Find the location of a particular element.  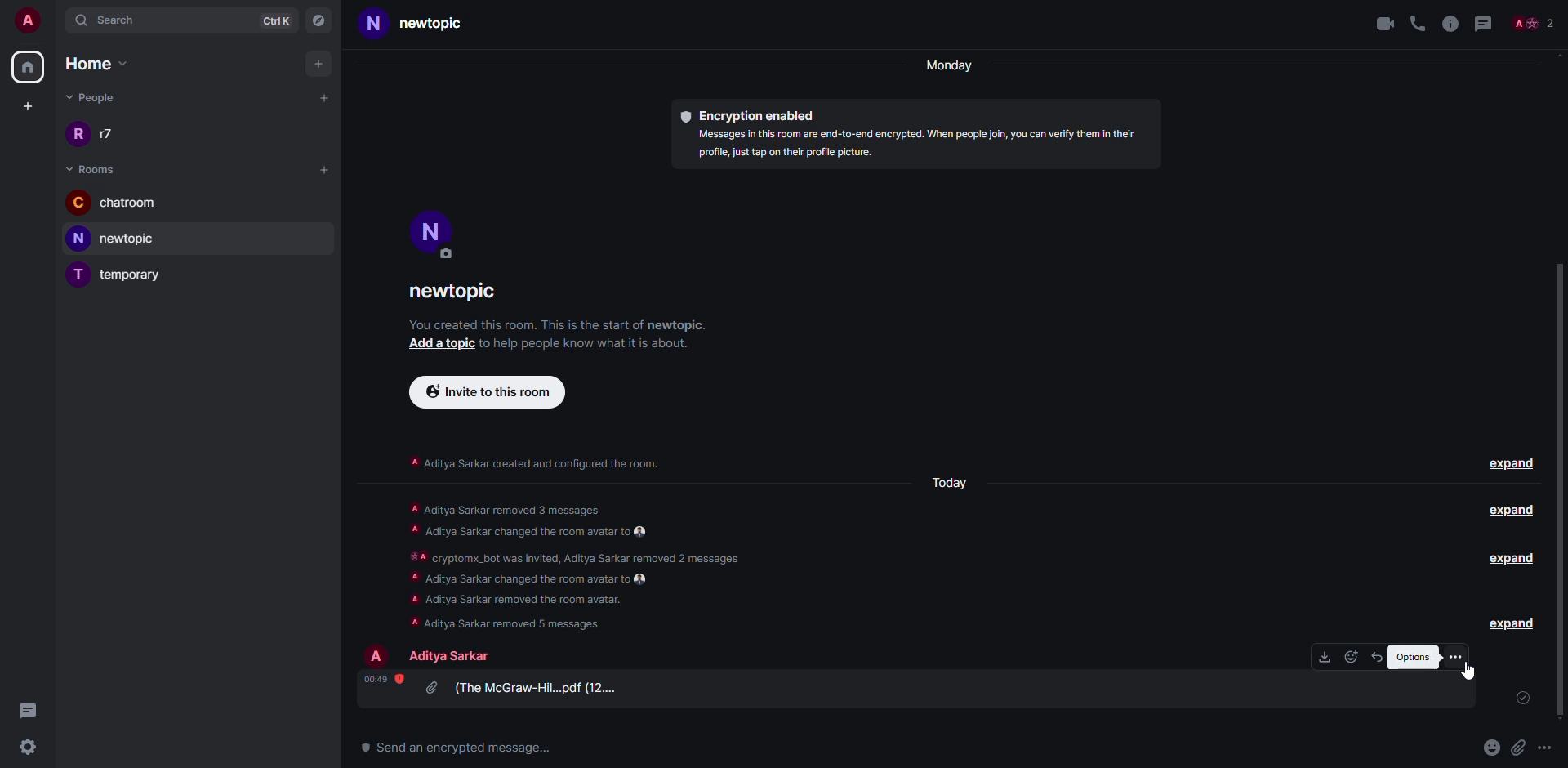

settings is located at coordinates (25, 745).